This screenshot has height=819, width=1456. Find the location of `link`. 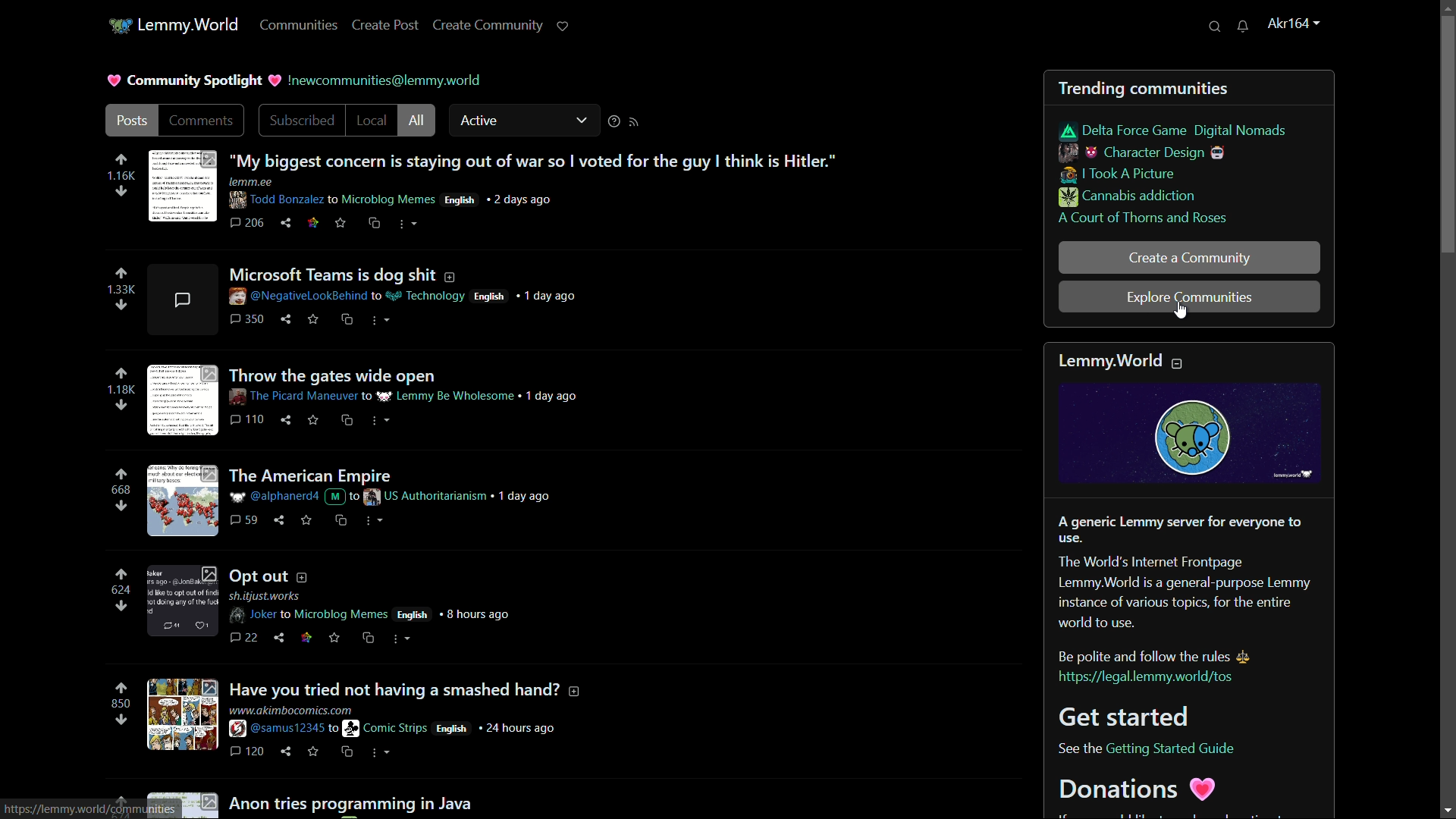

link is located at coordinates (313, 222).